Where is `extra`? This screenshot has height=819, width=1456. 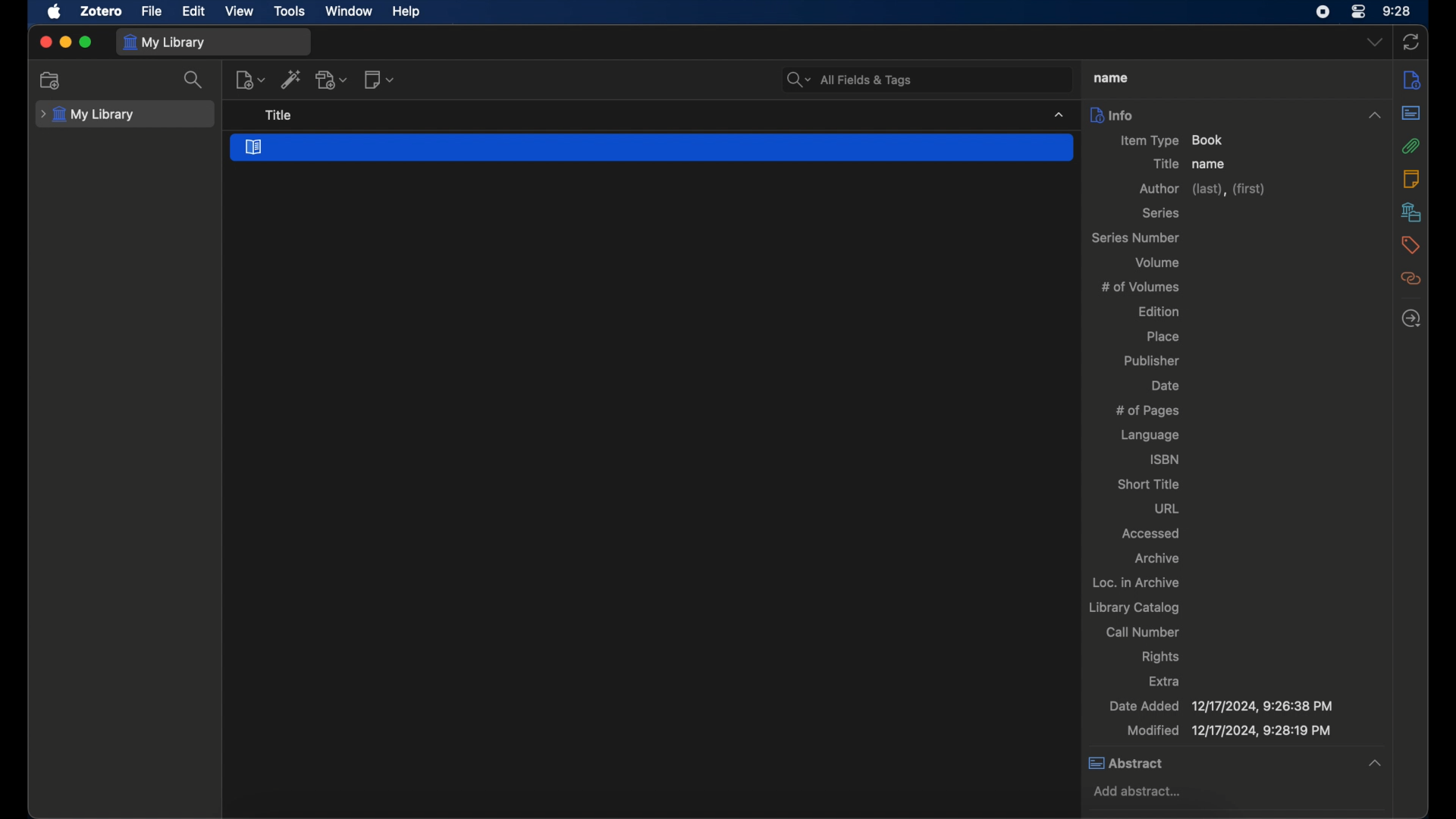 extra is located at coordinates (1164, 680).